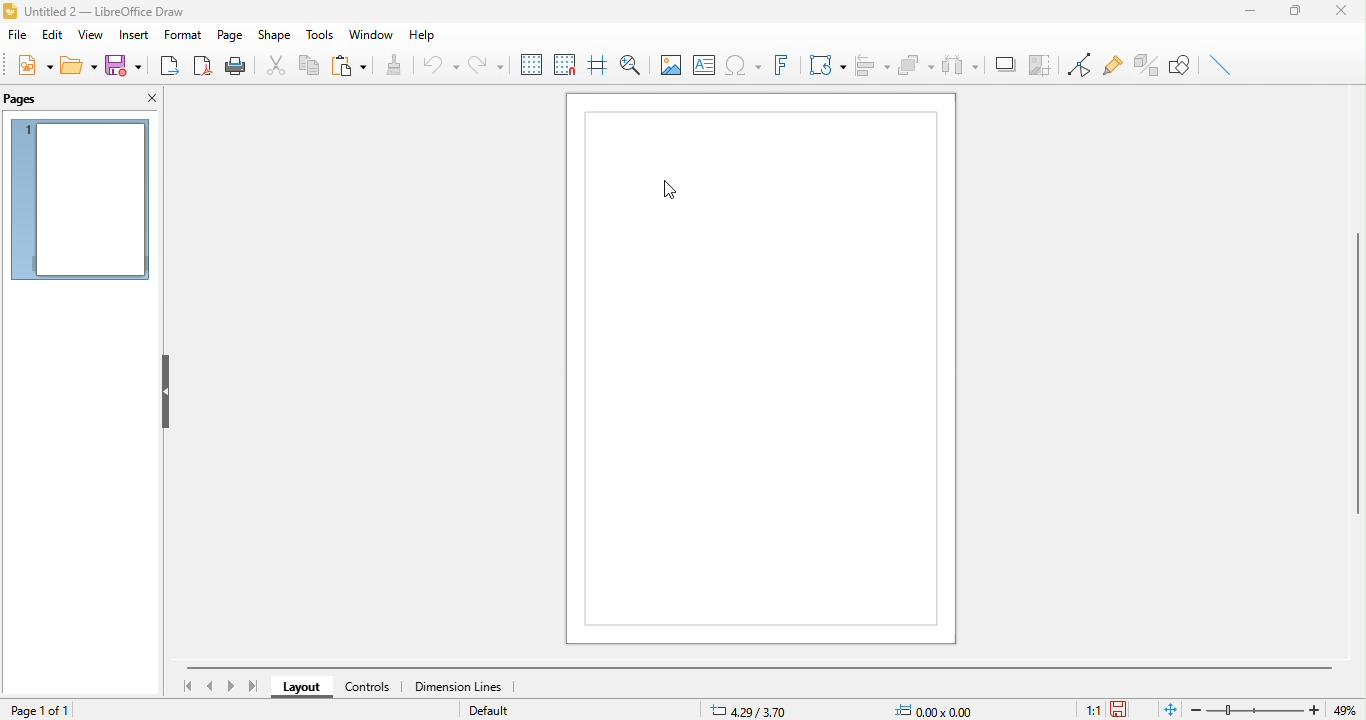 Image resolution: width=1366 pixels, height=720 pixels. What do you see at coordinates (1041, 63) in the screenshot?
I see `crop image` at bounding box center [1041, 63].